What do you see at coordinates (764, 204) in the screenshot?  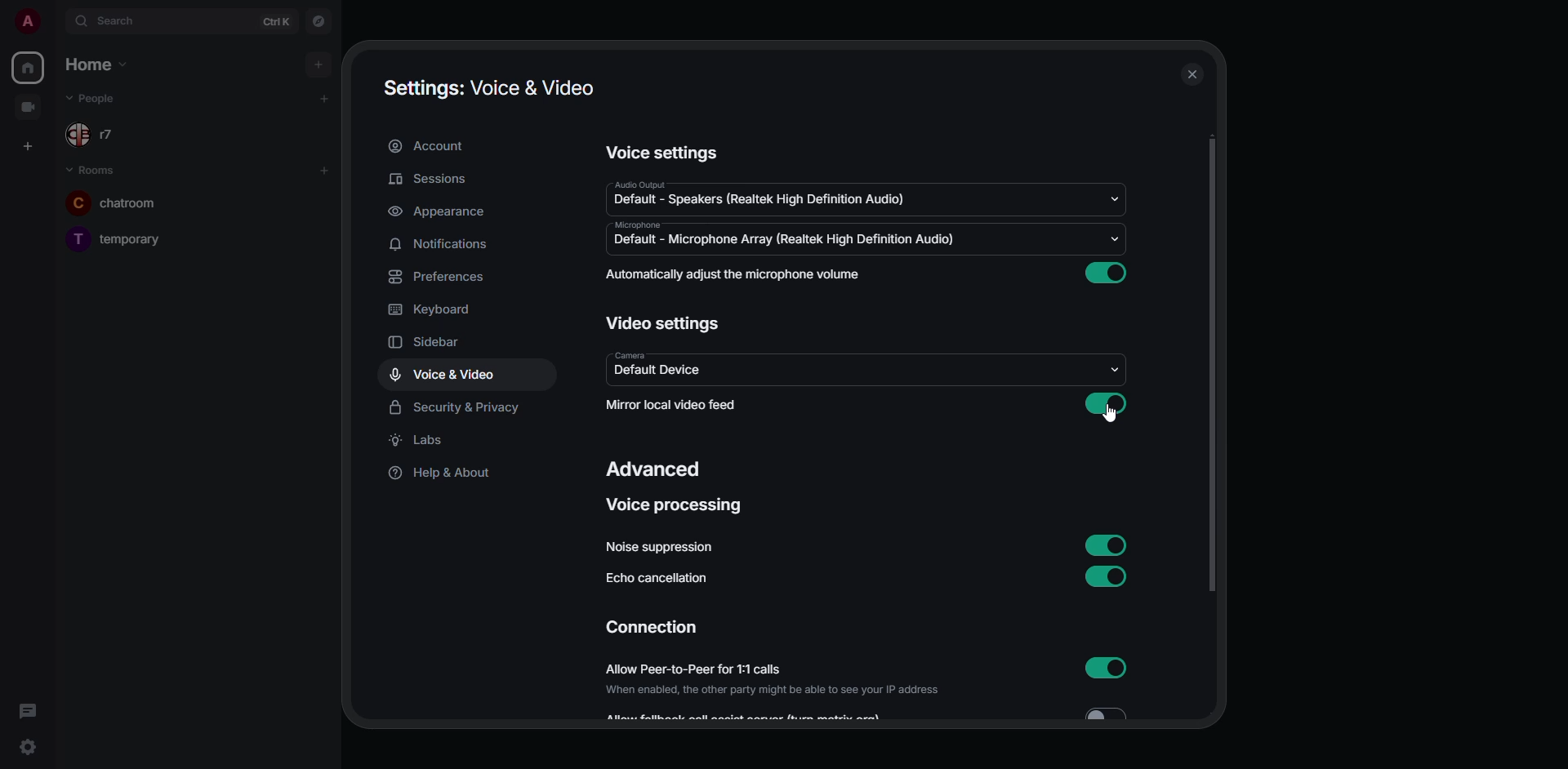 I see `default` at bounding box center [764, 204].